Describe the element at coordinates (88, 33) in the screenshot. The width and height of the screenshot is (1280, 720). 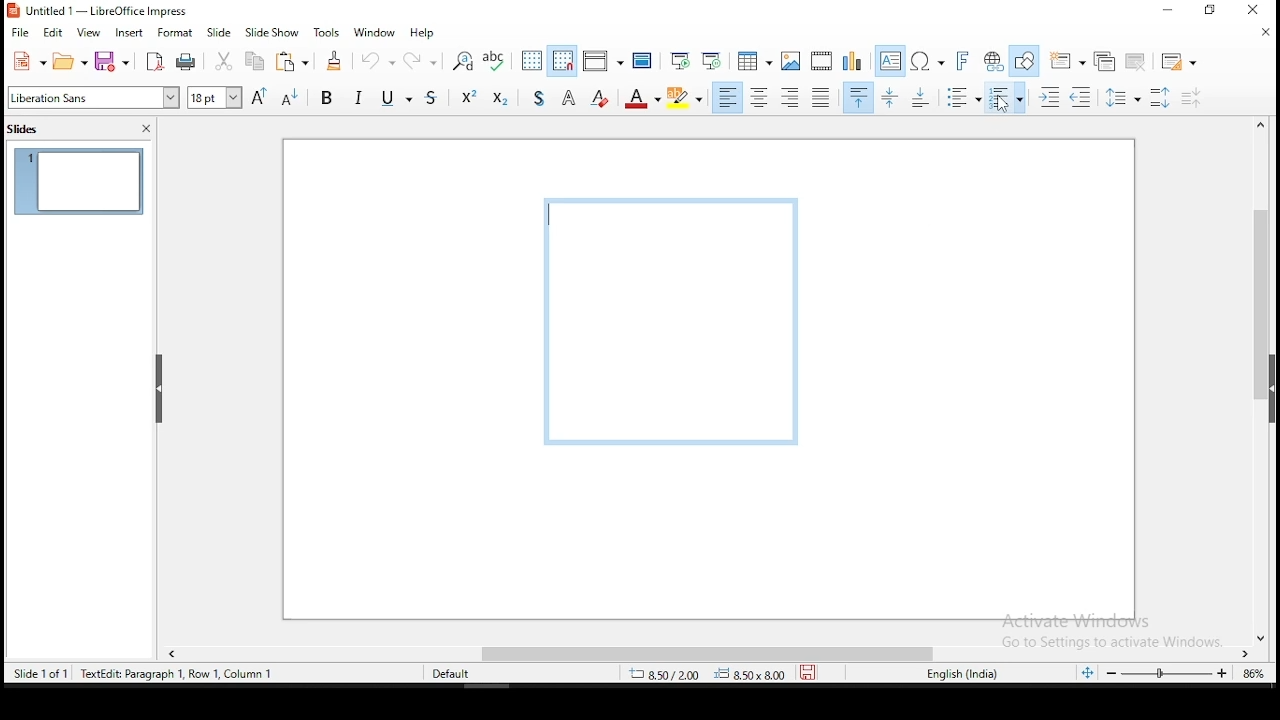
I see `view` at that location.